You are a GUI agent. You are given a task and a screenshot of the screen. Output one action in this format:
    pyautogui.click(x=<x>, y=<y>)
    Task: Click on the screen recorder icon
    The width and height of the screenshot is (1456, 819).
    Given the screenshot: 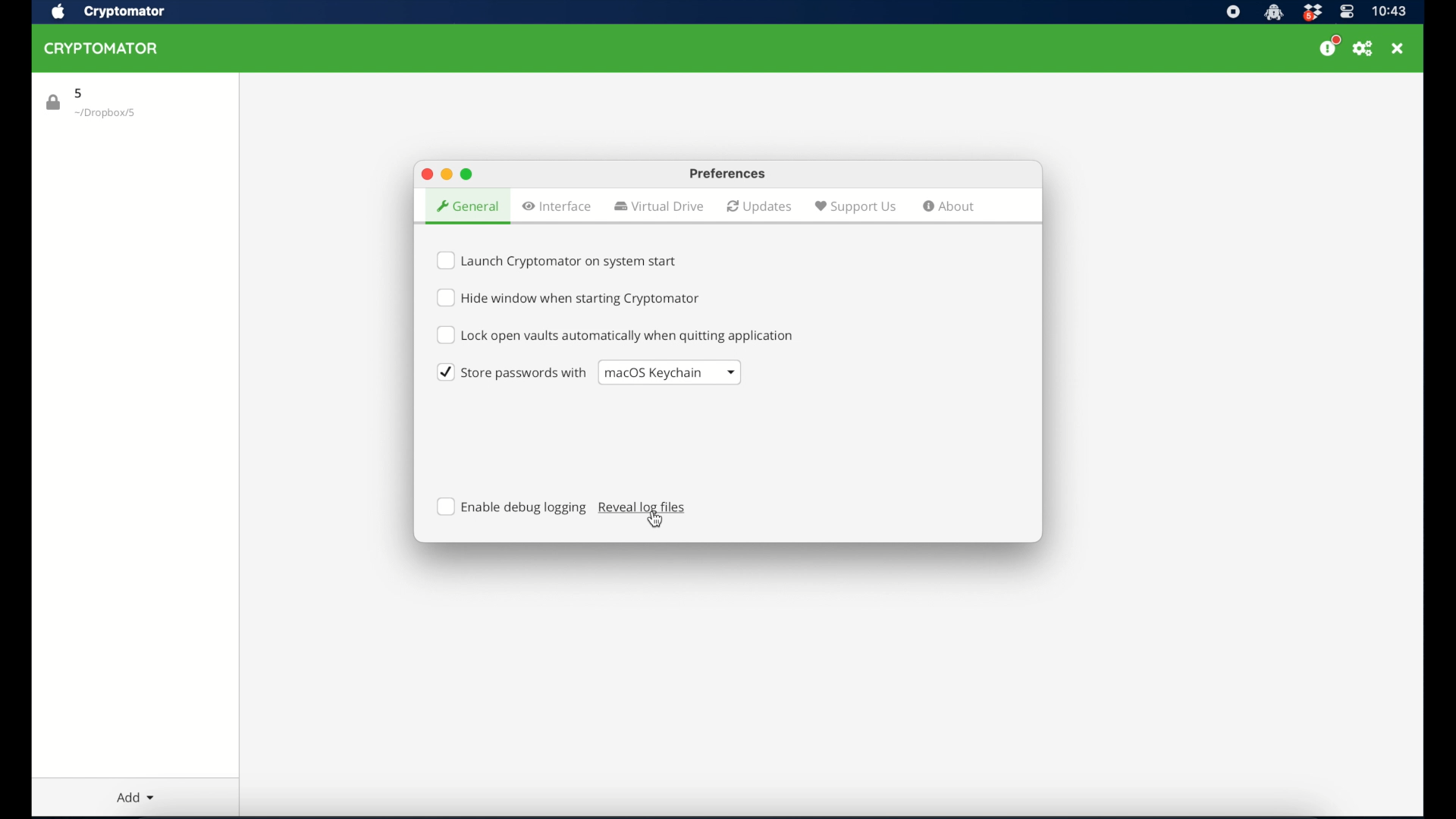 What is the action you would take?
    pyautogui.click(x=1232, y=12)
    